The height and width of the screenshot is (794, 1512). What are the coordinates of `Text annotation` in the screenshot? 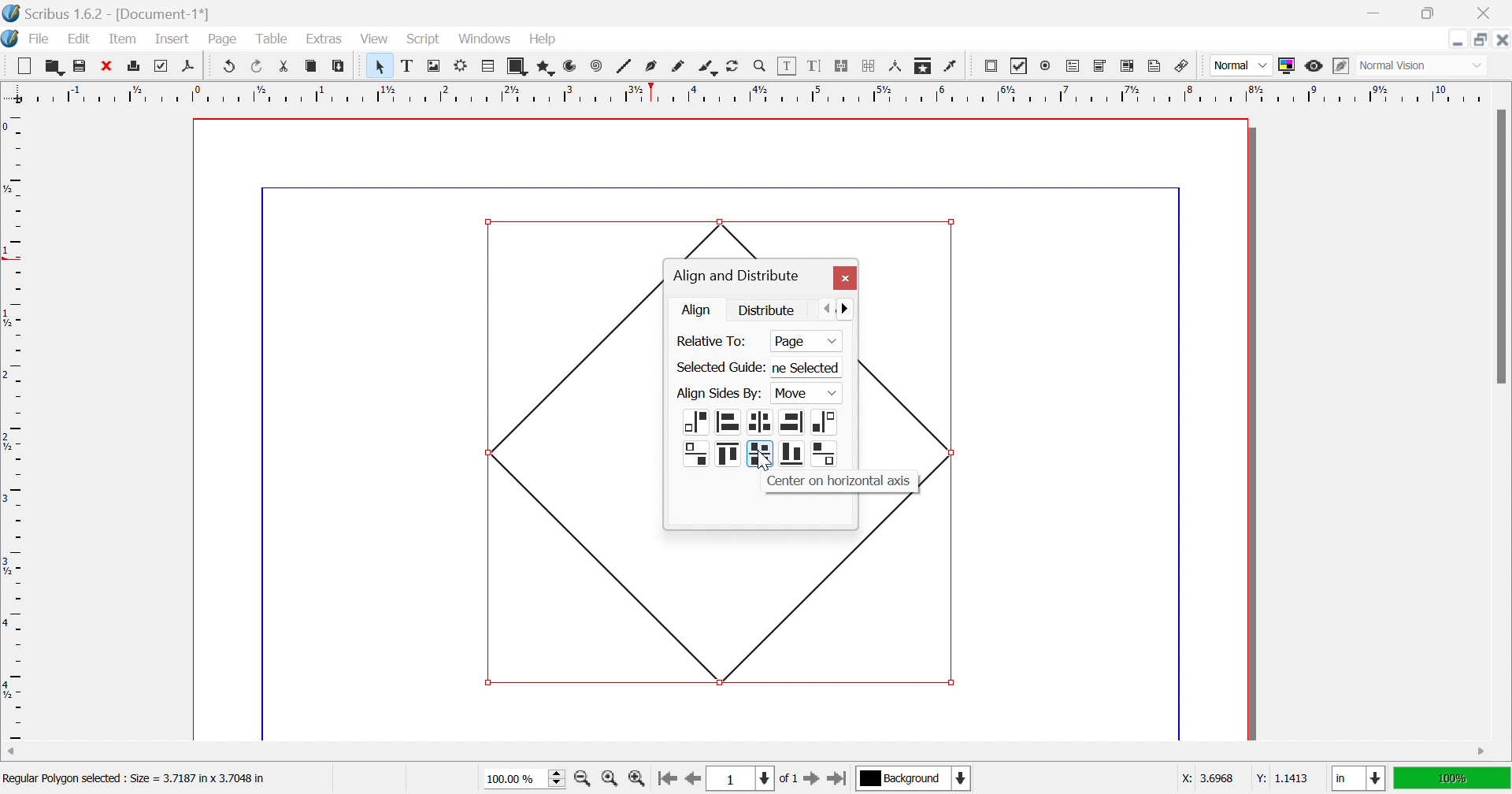 It's located at (1154, 66).